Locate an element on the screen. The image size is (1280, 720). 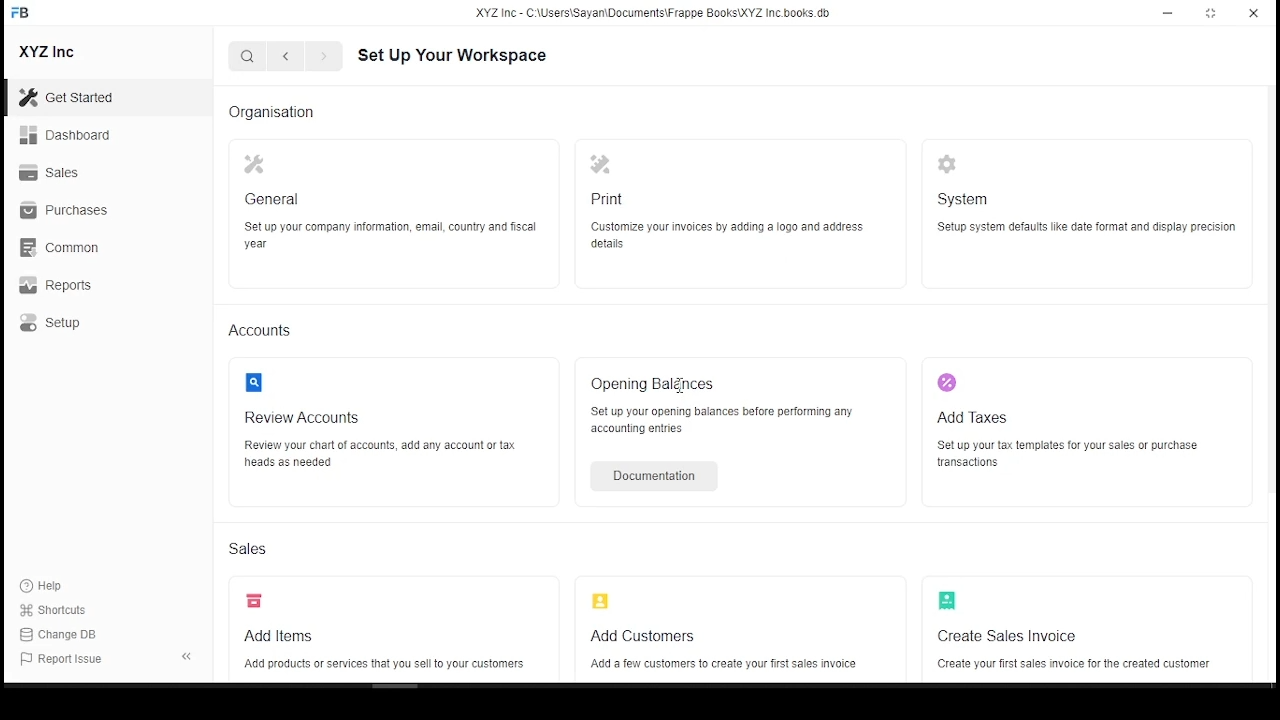
shortcuts is located at coordinates (58, 611).